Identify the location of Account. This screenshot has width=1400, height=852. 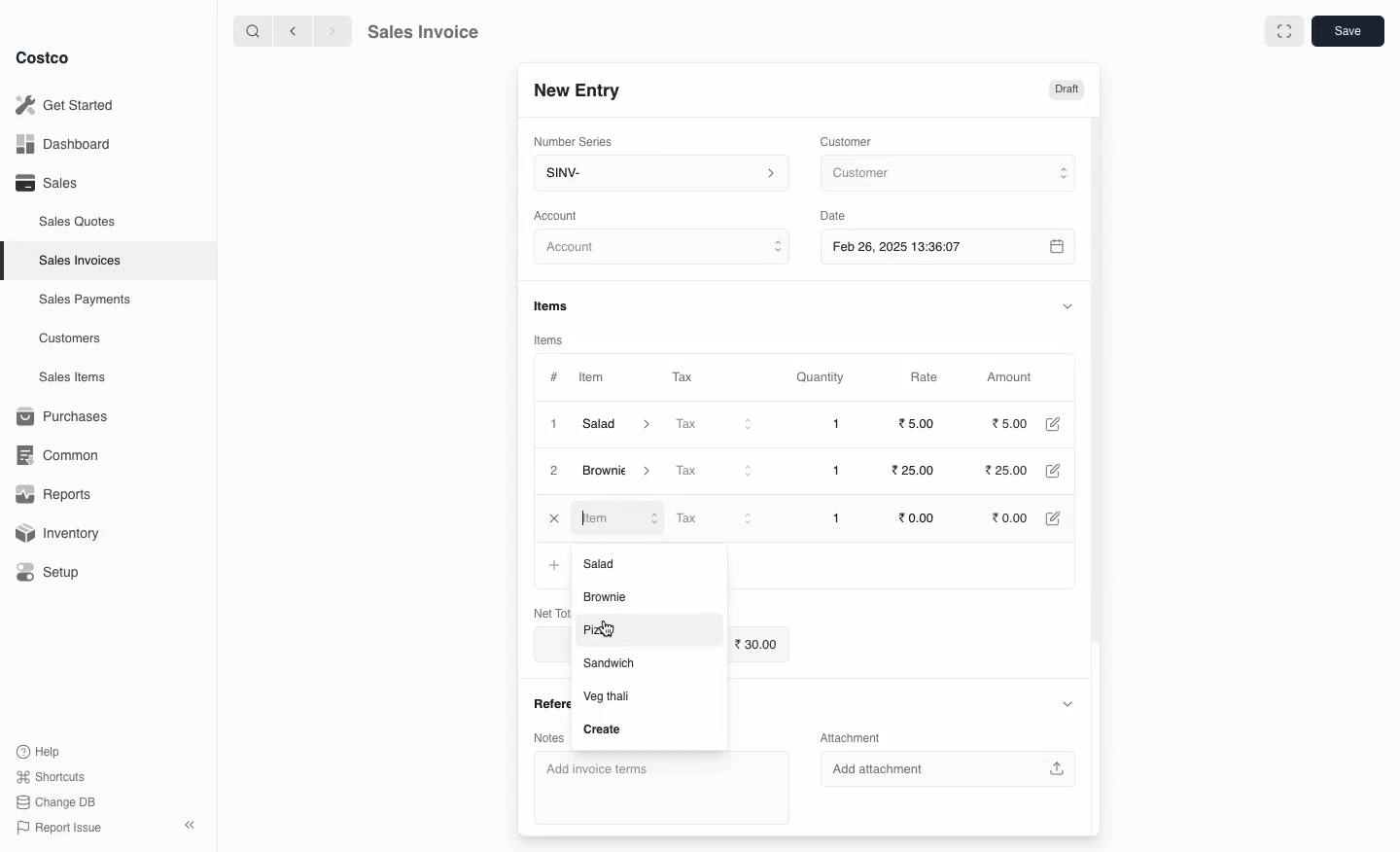
(663, 250).